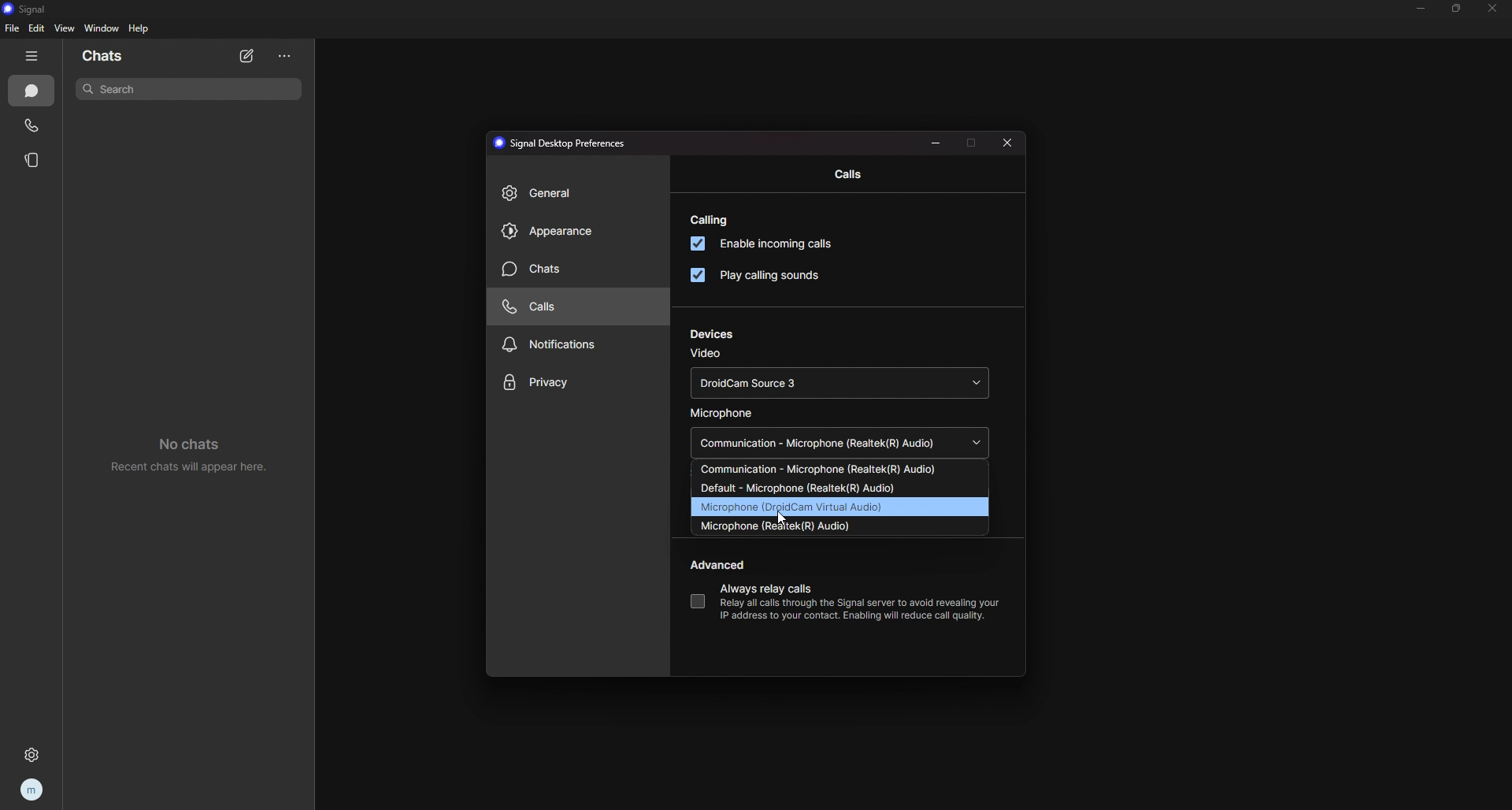  I want to click on chats, so click(570, 269).